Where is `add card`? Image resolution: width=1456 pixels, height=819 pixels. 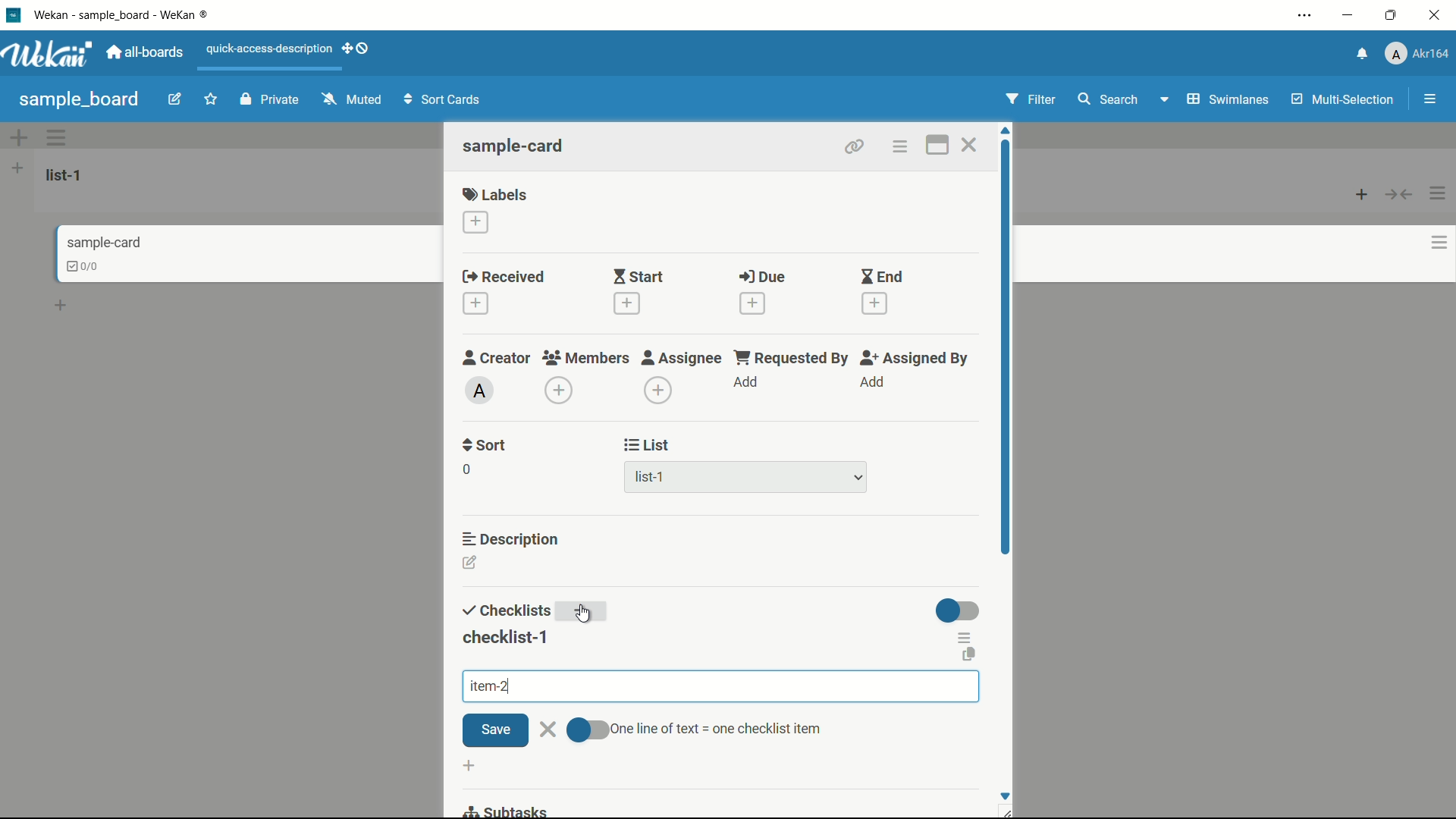
add card is located at coordinates (1362, 193).